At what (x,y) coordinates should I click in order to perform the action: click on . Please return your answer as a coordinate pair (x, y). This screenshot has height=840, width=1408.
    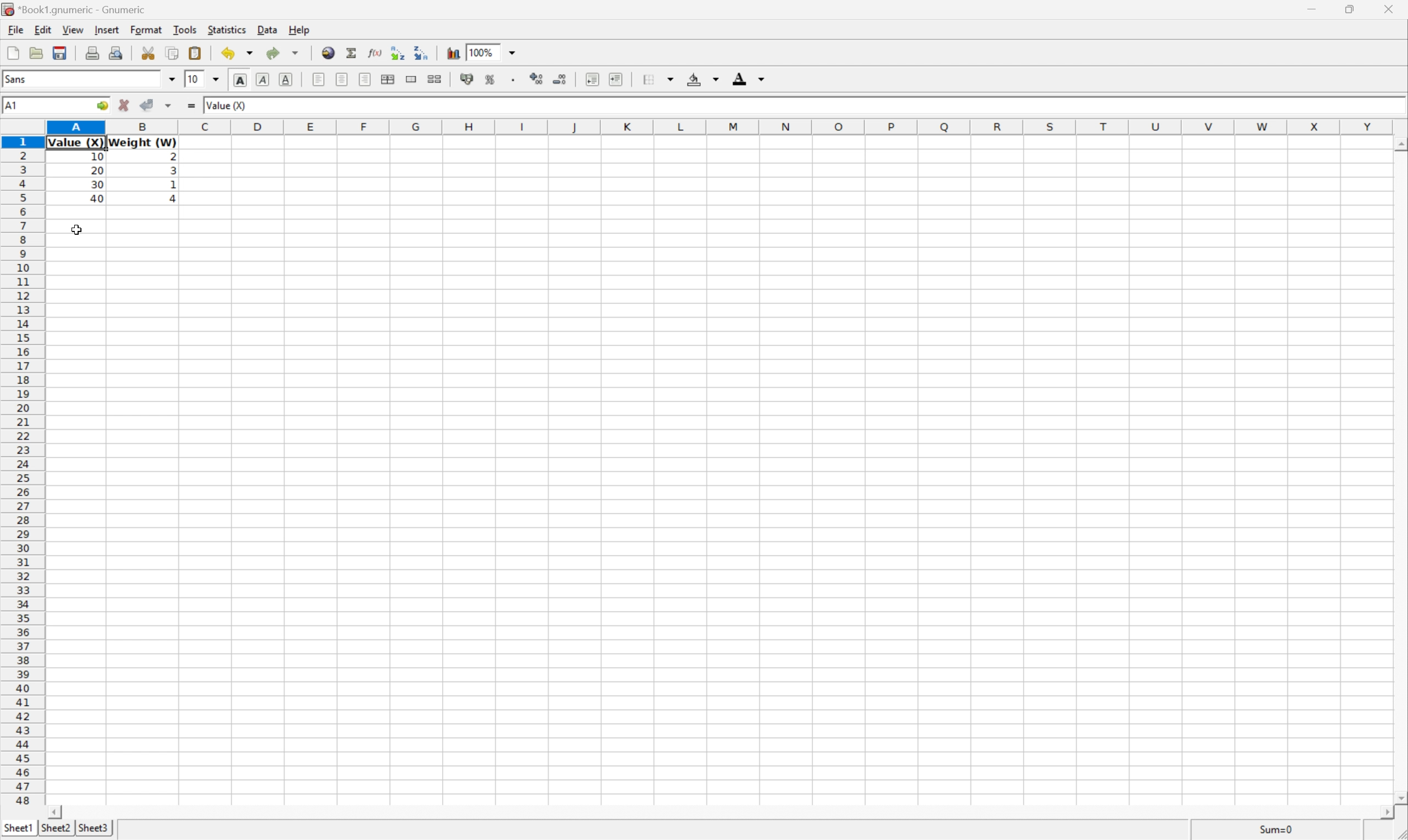
    Looking at the image, I should click on (96, 158).